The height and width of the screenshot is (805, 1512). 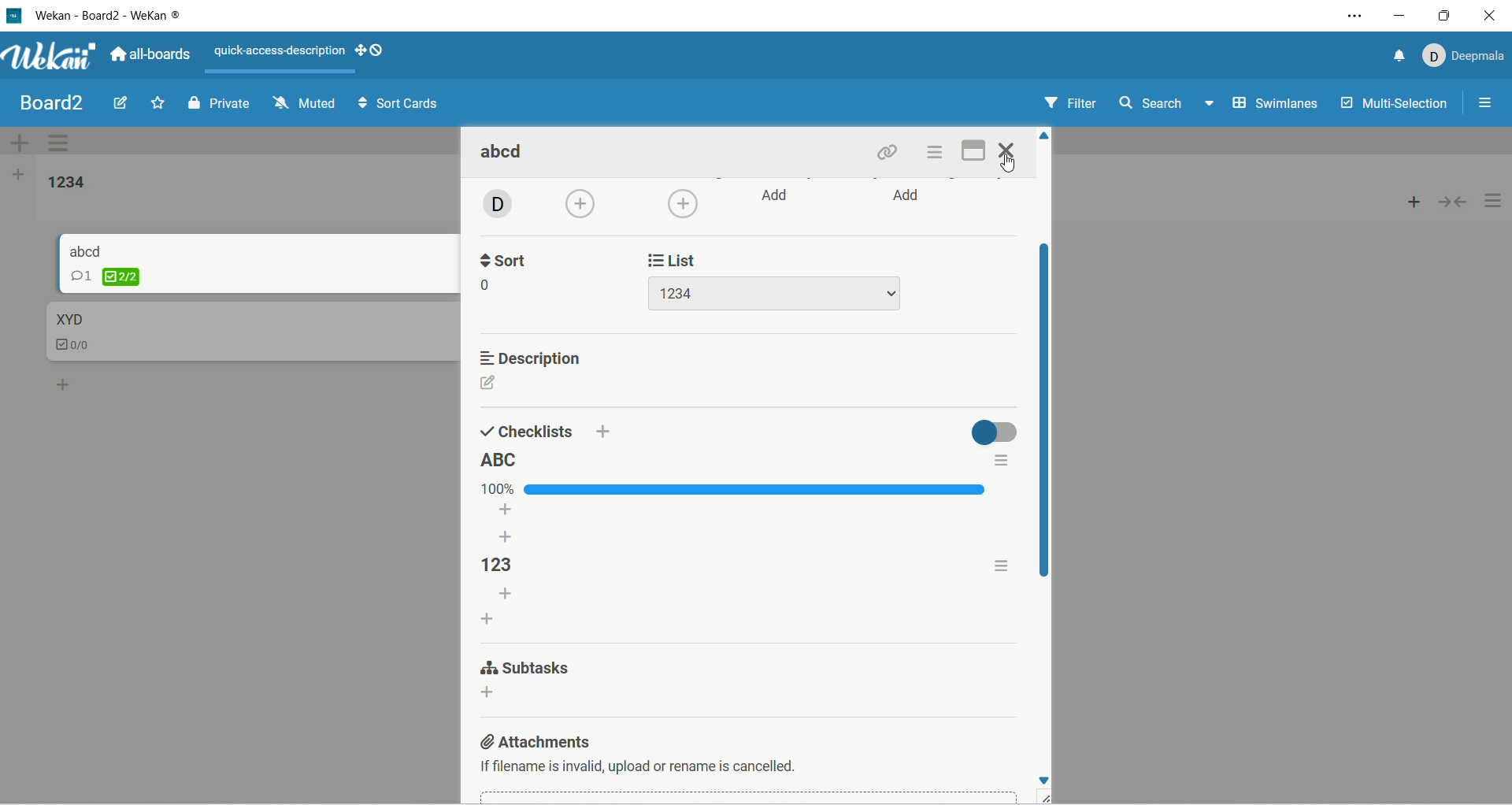 What do you see at coordinates (154, 54) in the screenshot?
I see `all boards` at bounding box center [154, 54].